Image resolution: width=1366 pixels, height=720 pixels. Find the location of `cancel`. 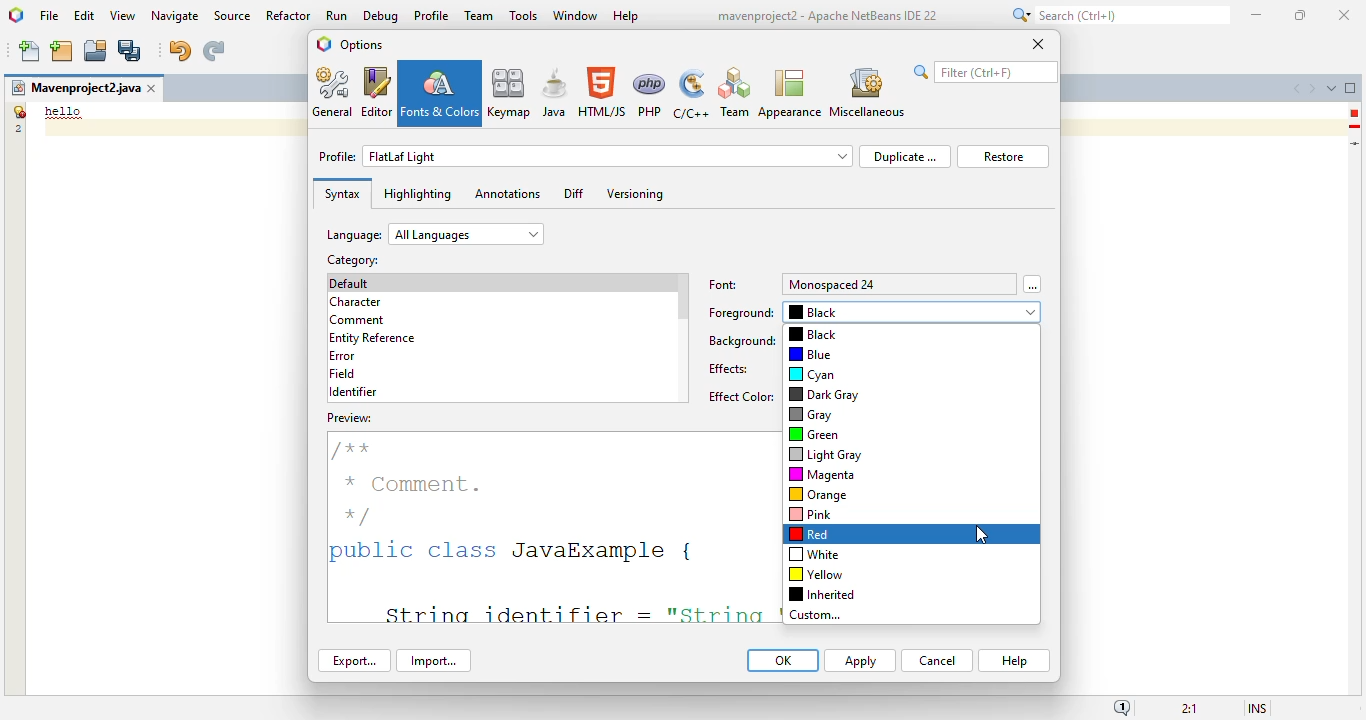

cancel is located at coordinates (937, 661).